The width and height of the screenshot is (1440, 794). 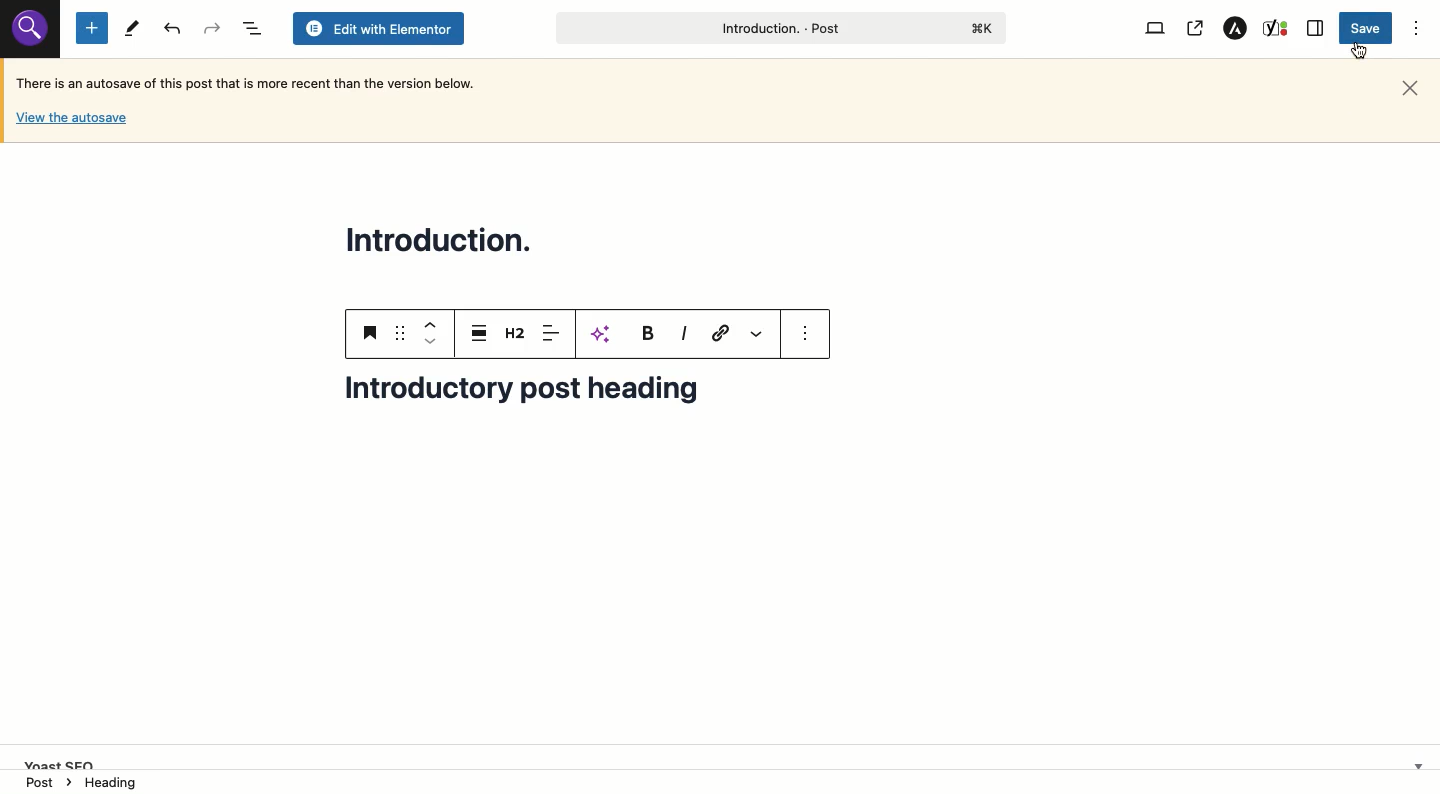 I want to click on Align, so click(x=552, y=335).